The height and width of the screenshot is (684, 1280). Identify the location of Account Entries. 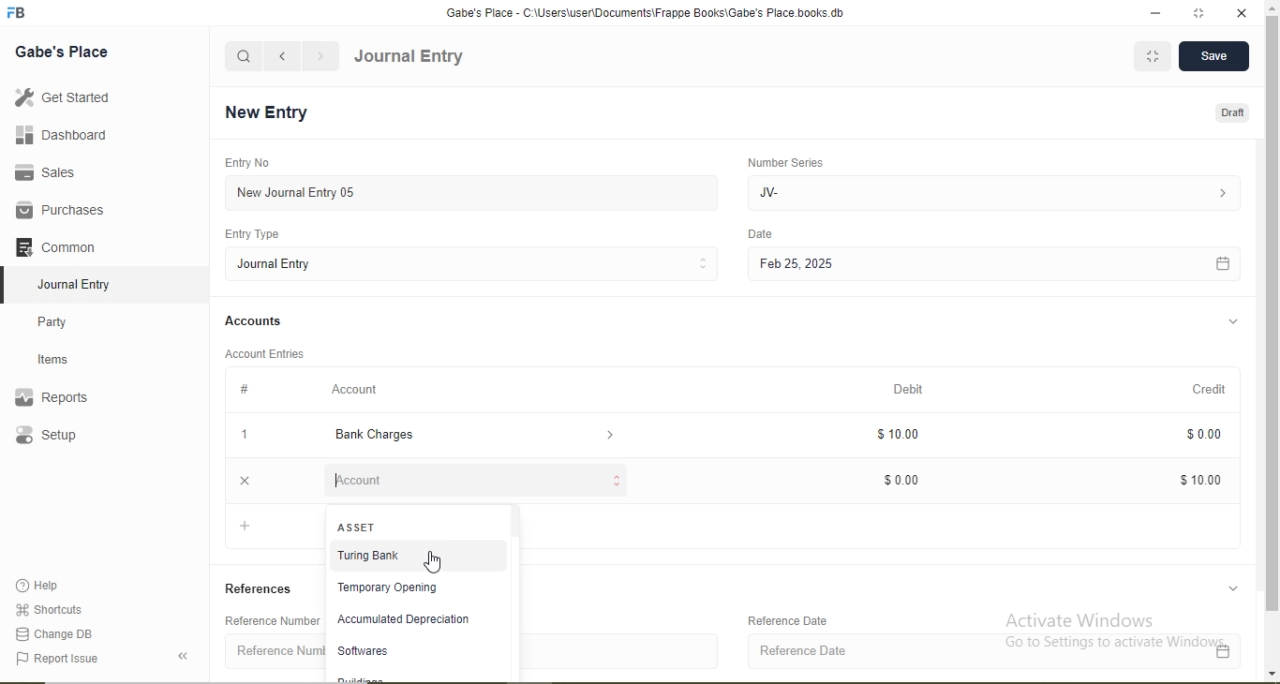
(263, 352).